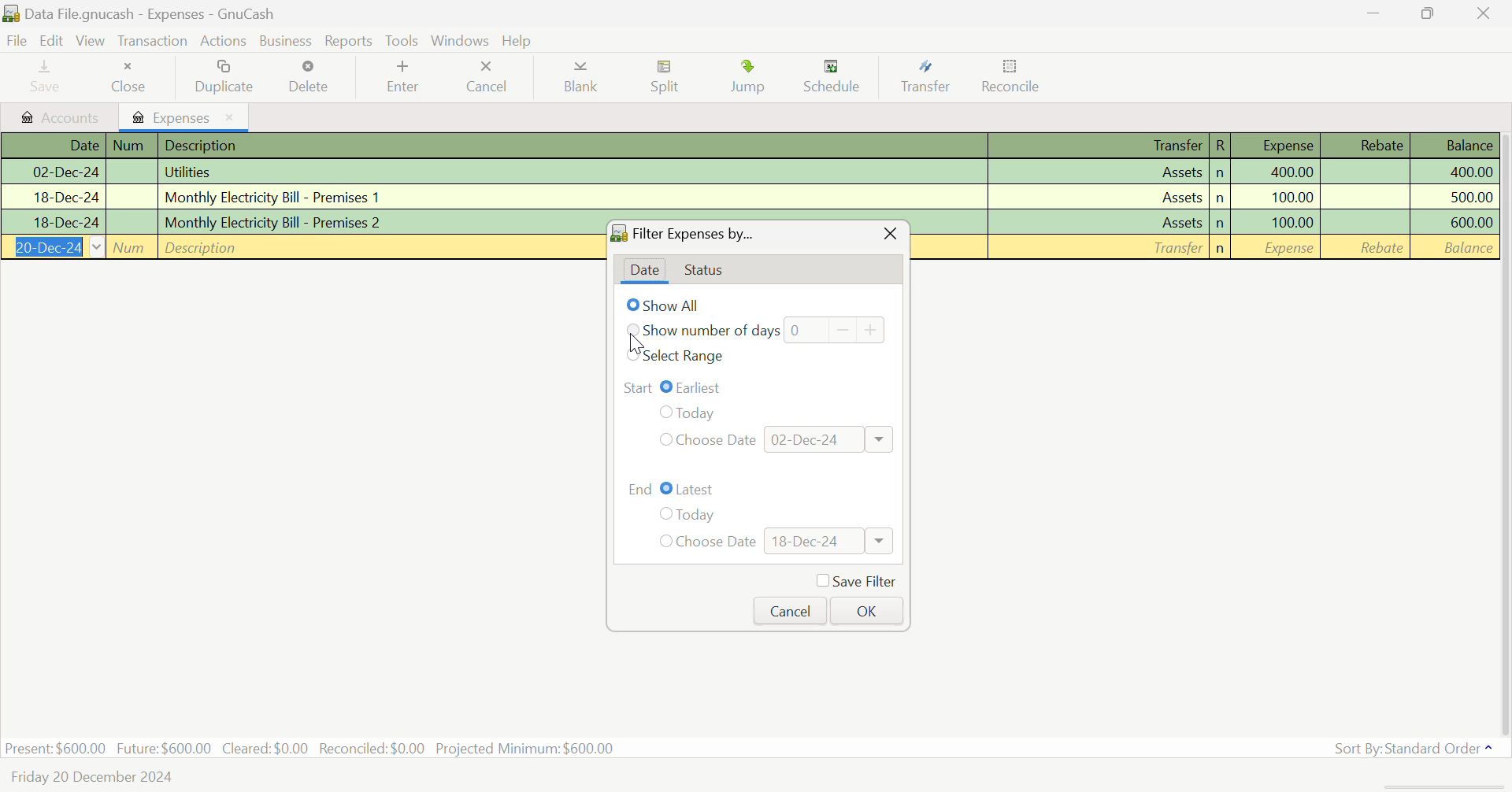 The width and height of the screenshot is (1512, 792). What do you see at coordinates (691, 413) in the screenshot?
I see `Today` at bounding box center [691, 413].